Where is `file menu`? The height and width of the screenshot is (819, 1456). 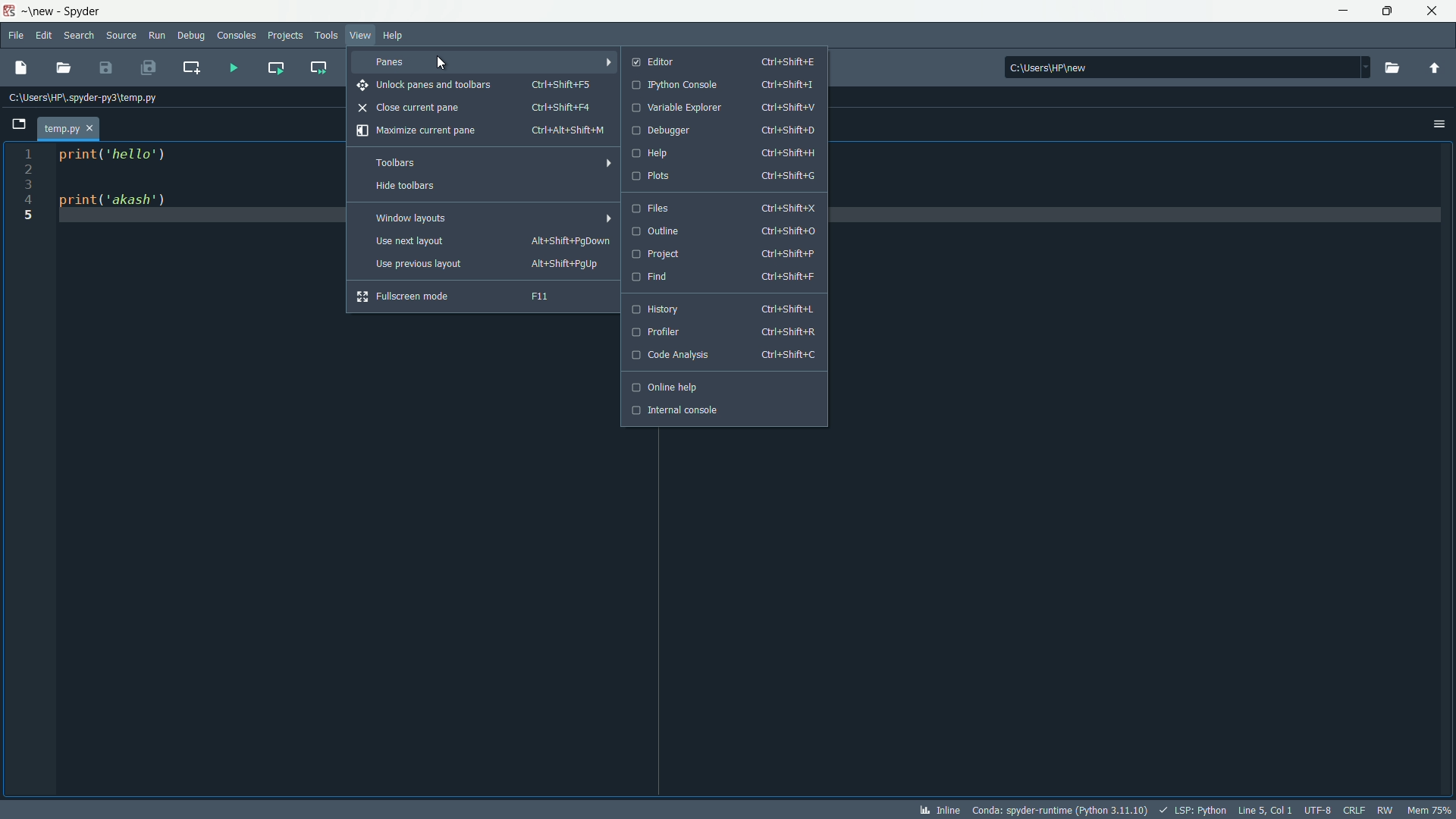
file menu is located at coordinates (15, 35).